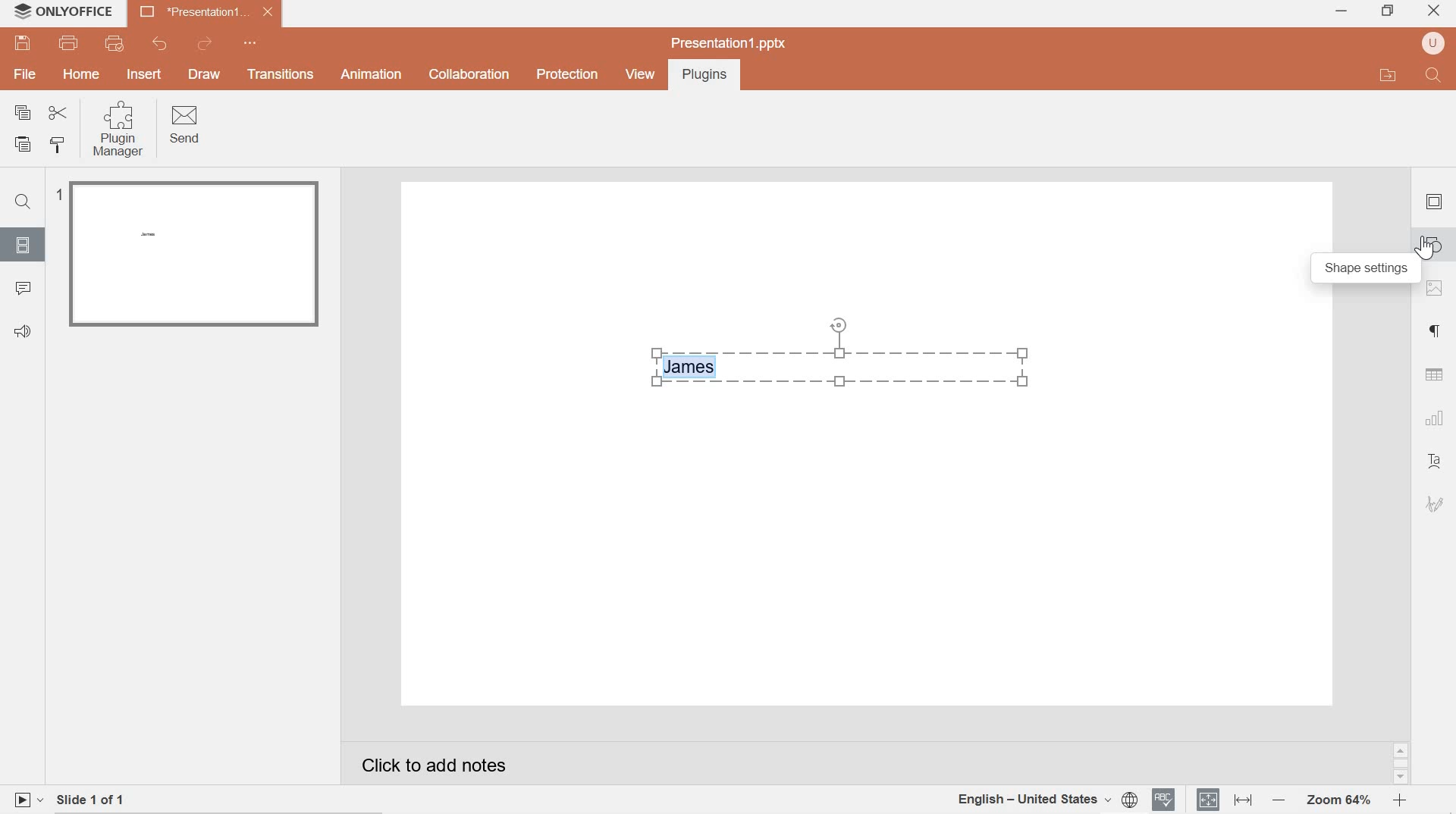 The width and height of the screenshot is (1456, 814). Describe the element at coordinates (120, 44) in the screenshot. I see `quick print` at that location.